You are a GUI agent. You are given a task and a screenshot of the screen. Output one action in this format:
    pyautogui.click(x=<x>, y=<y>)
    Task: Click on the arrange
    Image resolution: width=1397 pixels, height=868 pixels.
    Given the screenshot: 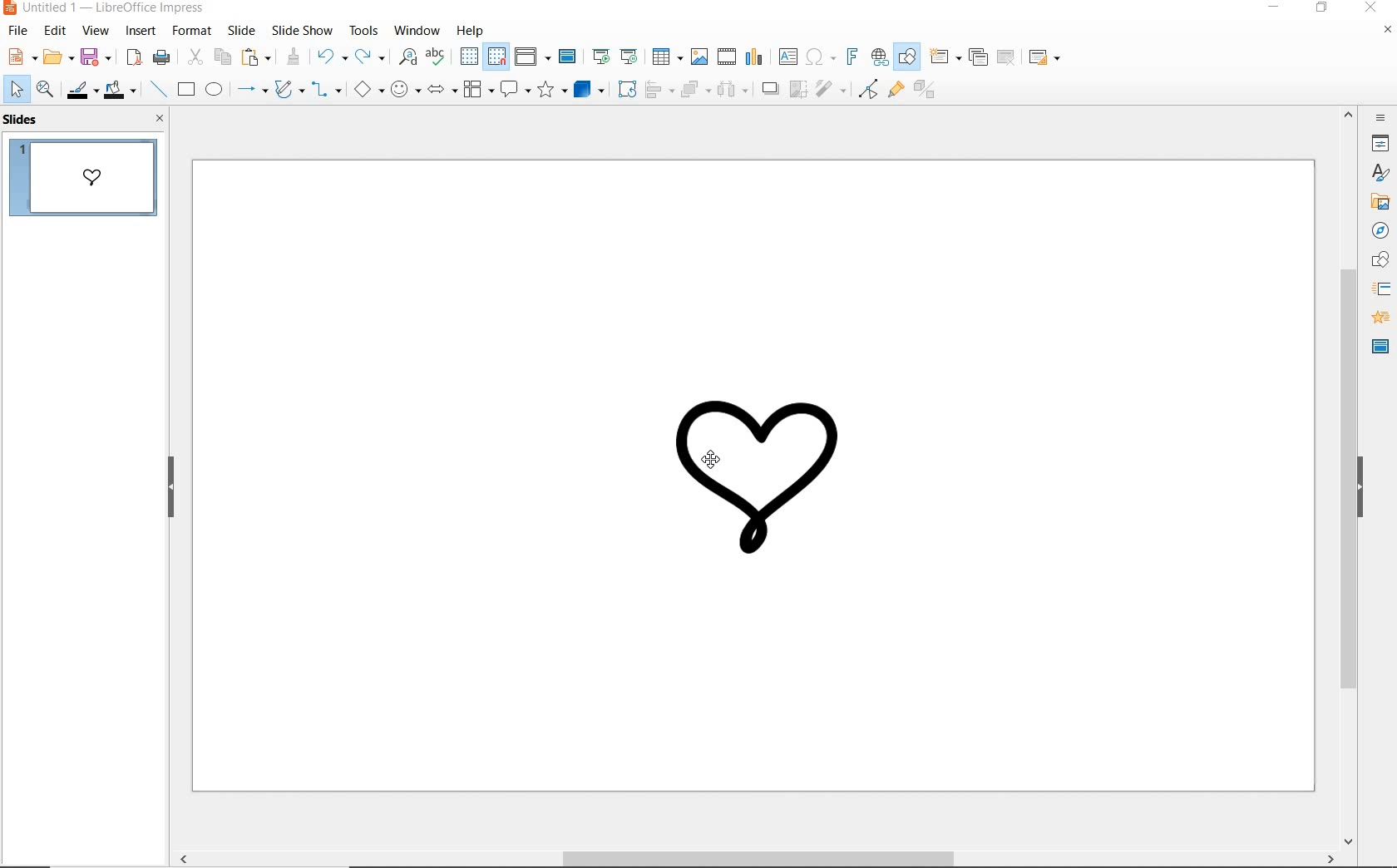 What is the action you would take?
    pyautogui.click(x=693, y=90)
    